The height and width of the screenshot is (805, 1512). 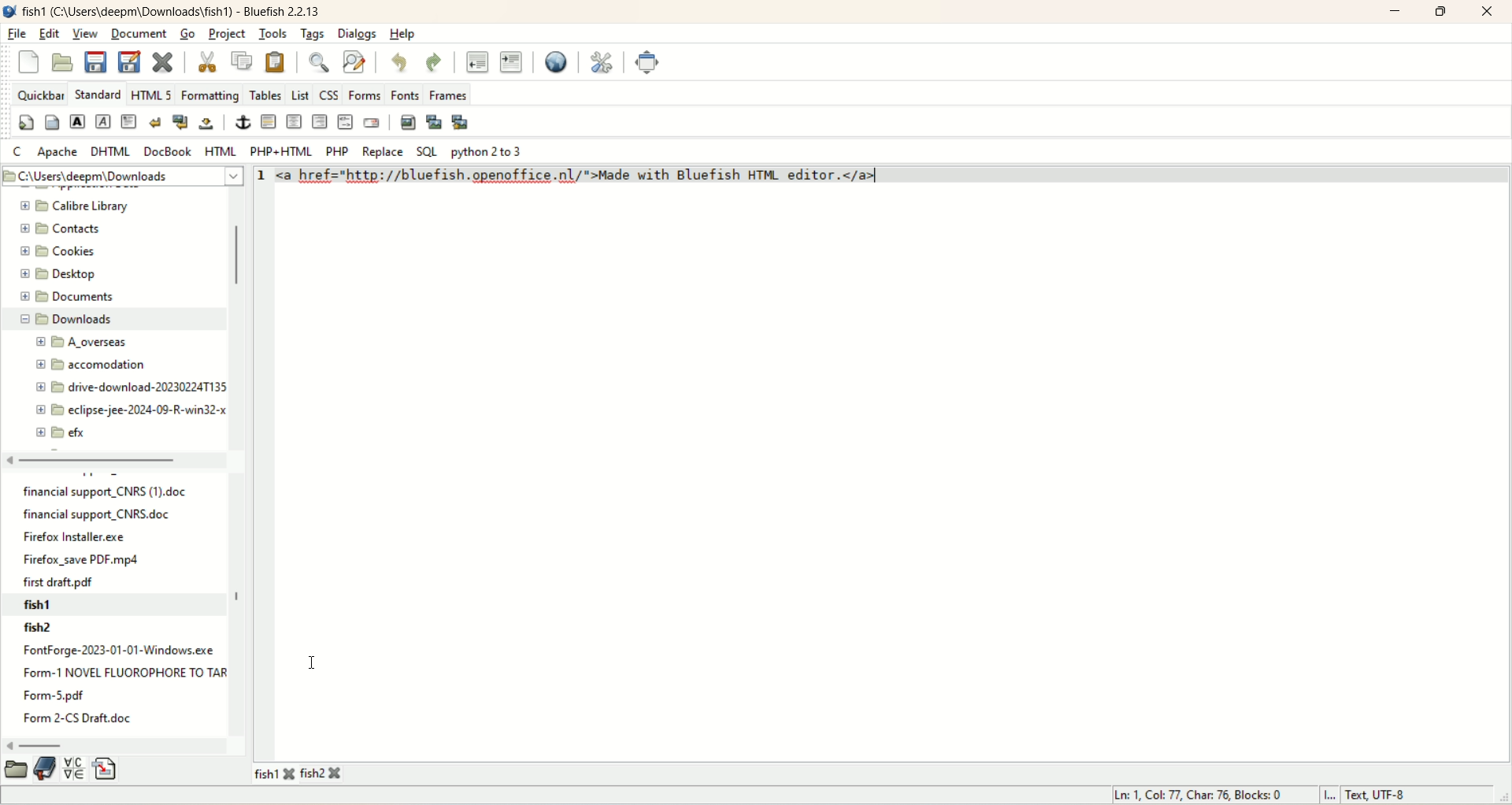 What do you see at coordinates (187, 35) in the screenshot?
I see `go` at bounding box center [187, 35].